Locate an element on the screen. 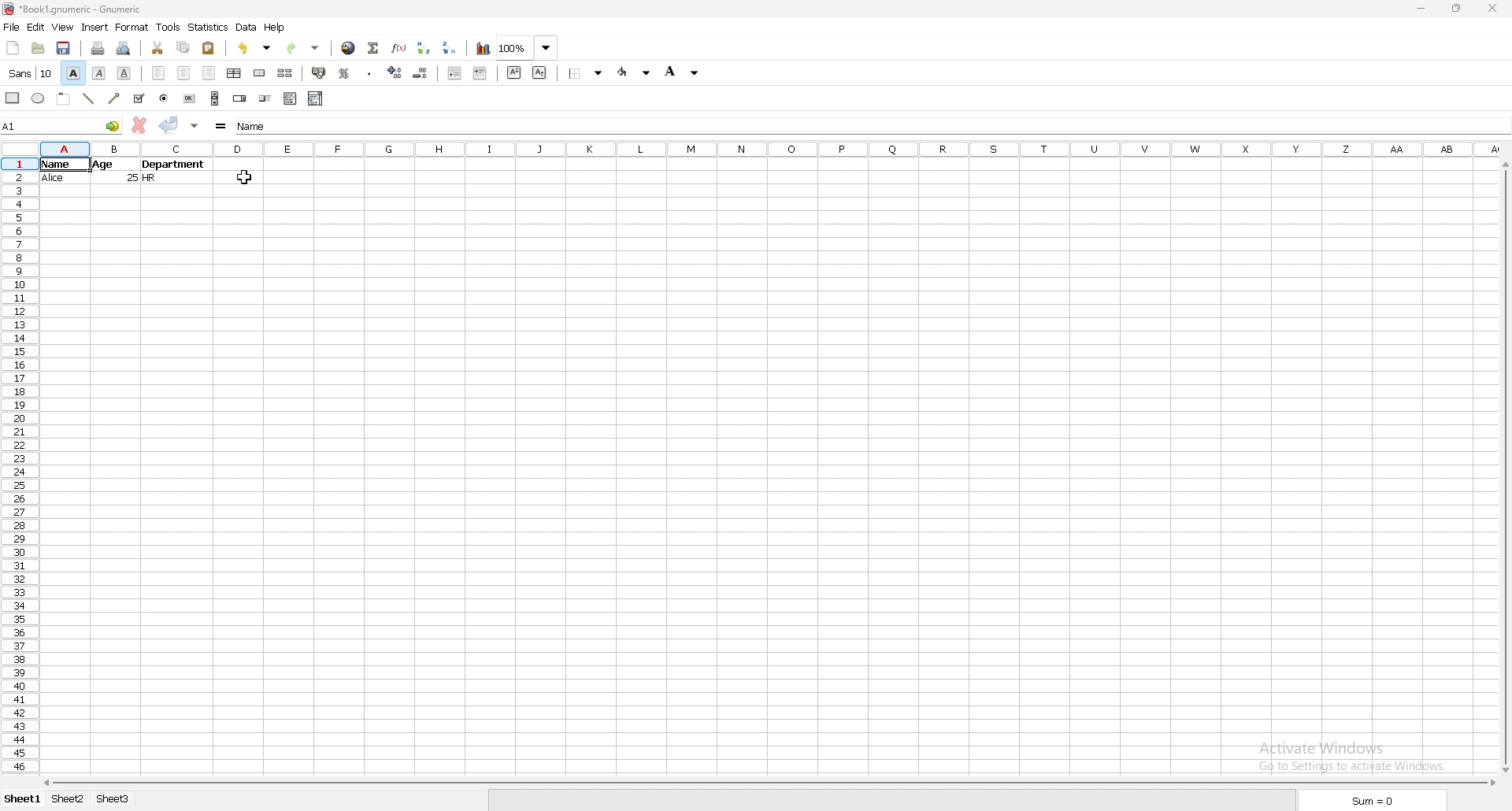  new is located at coordinates (12, 49).